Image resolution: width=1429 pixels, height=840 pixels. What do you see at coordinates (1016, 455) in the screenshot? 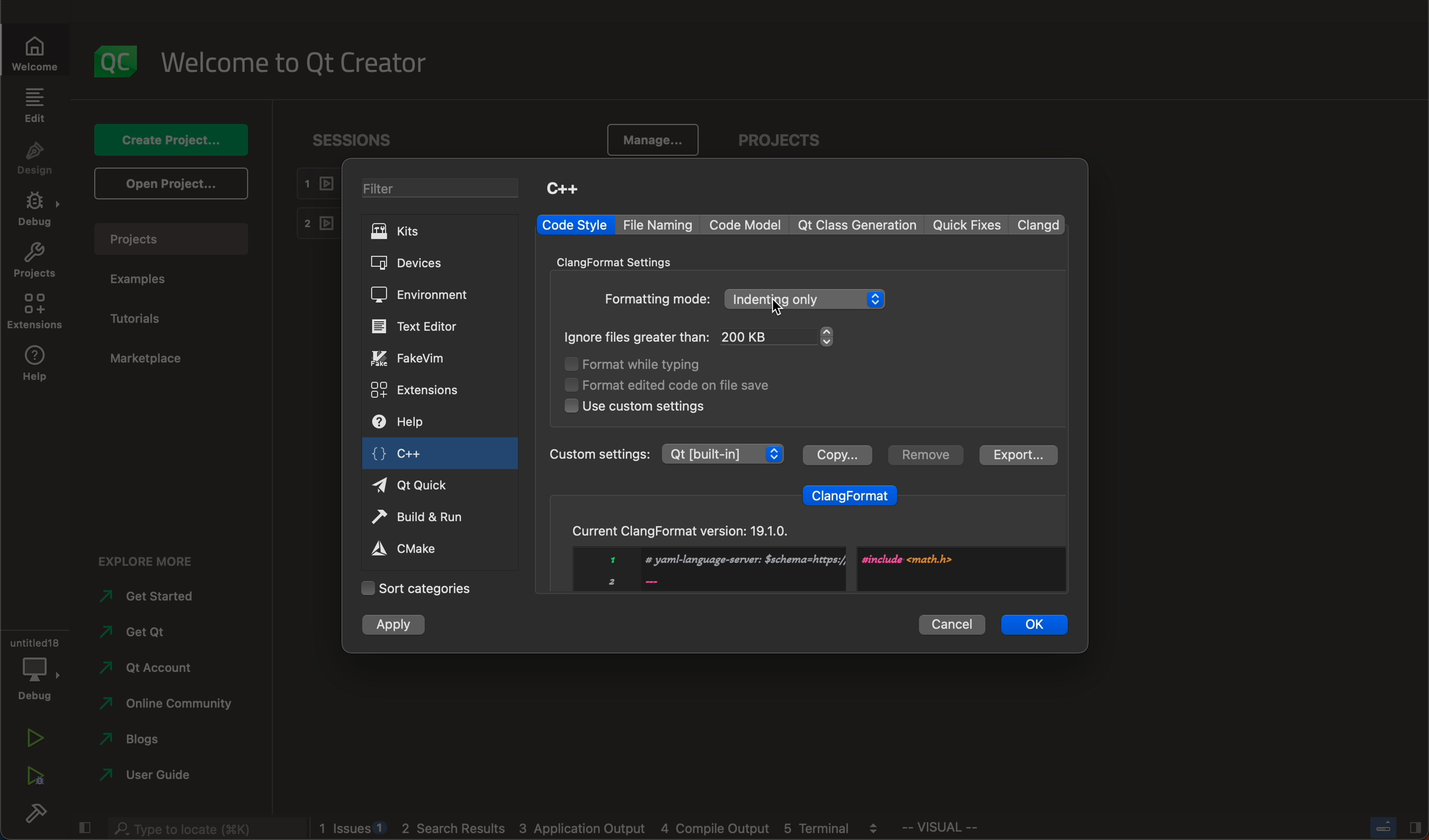
I see `export` at bounding box center [1016, 455].